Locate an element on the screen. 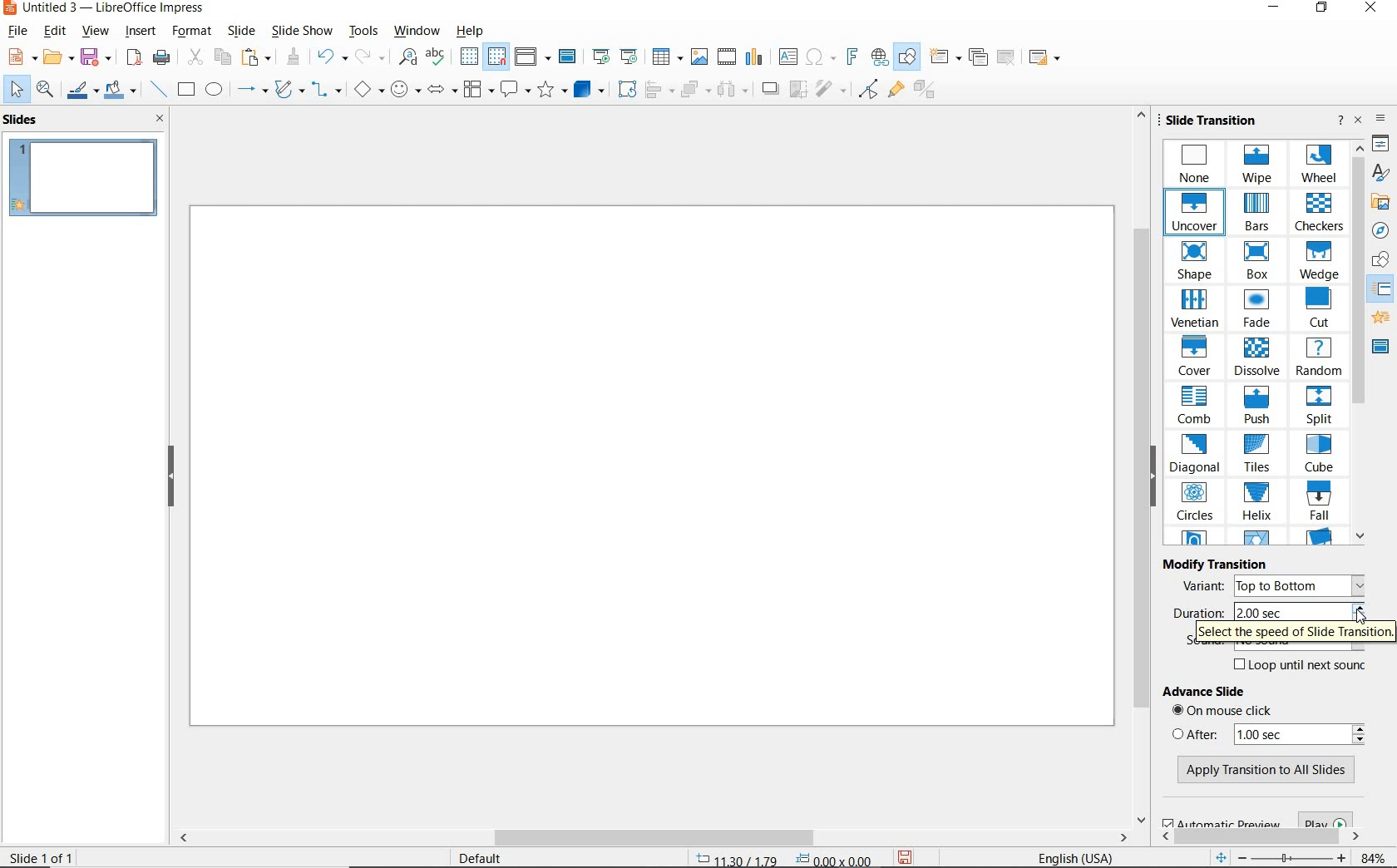  FALL is located at coordinates (1318, 503).